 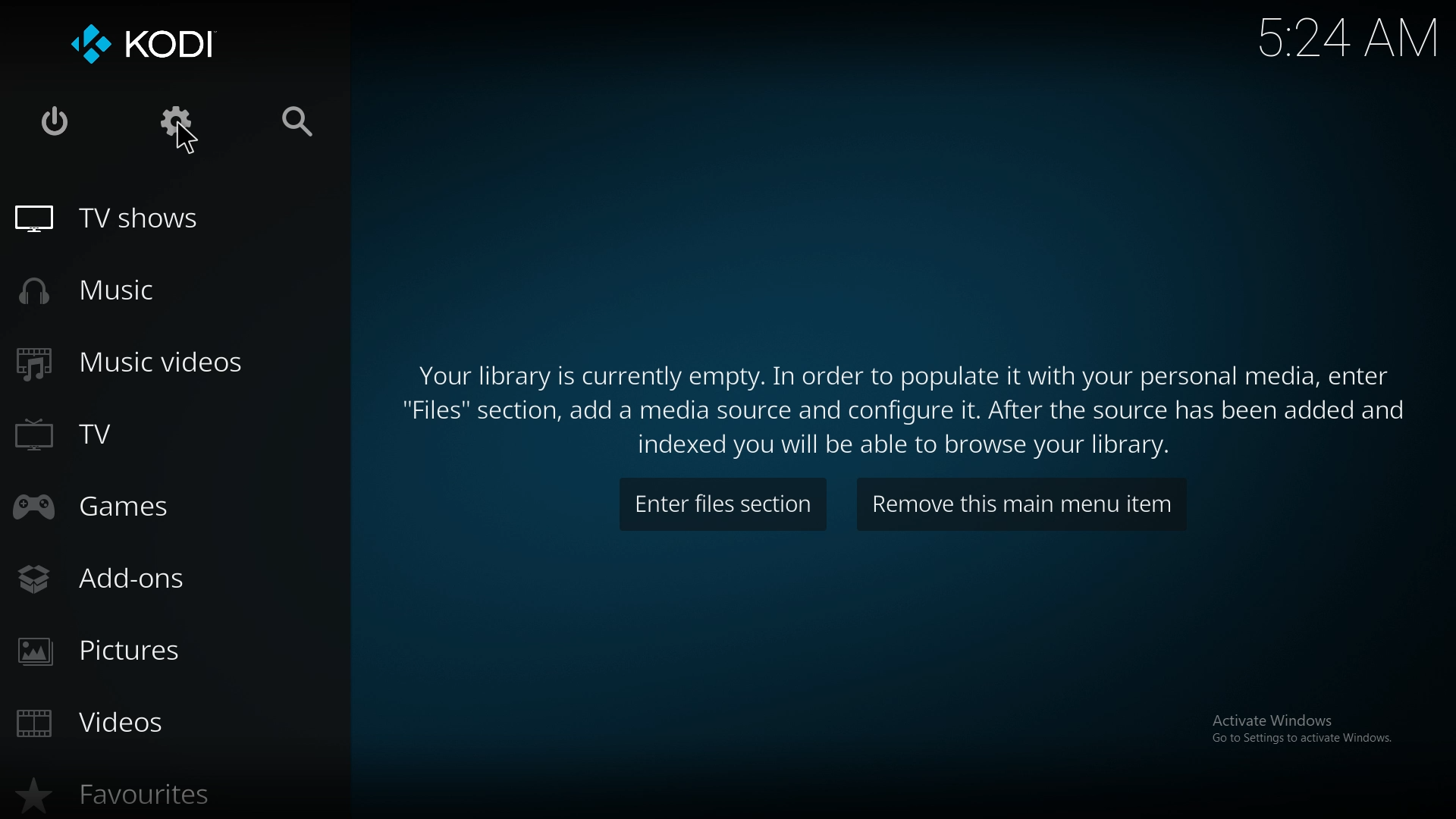 I want to click on cursor, so click(x=190, y=145).